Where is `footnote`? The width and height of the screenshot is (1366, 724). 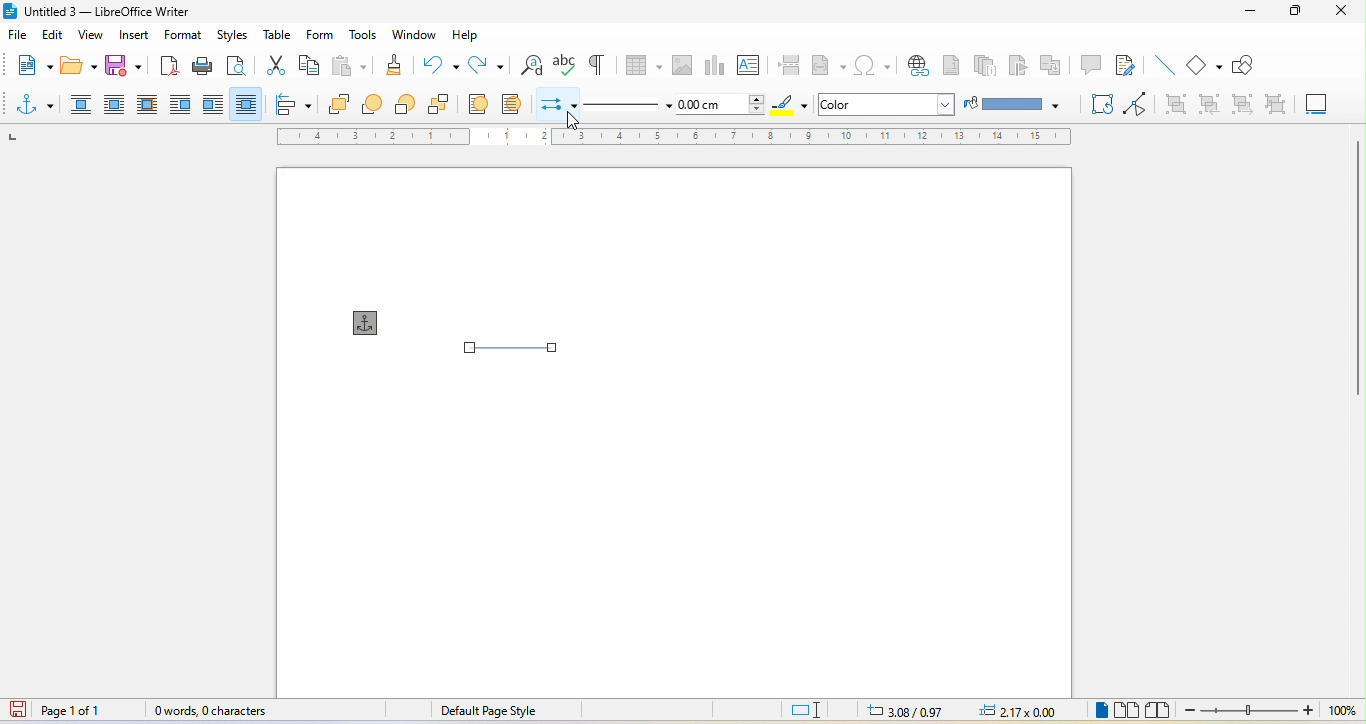 footnote is located at coordinates (952, 66).